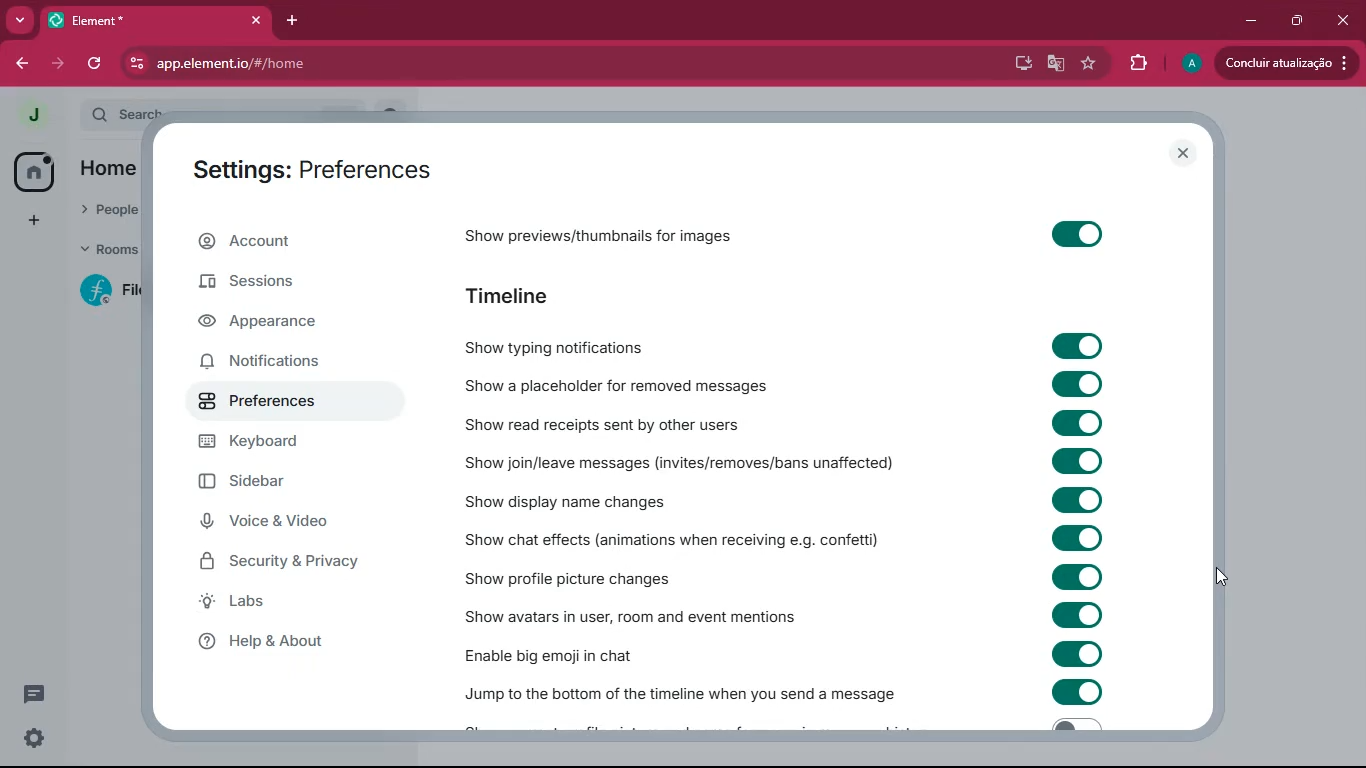  Describe the element at coordinates (35, 172) in the screenshot. I see `home` at that location.